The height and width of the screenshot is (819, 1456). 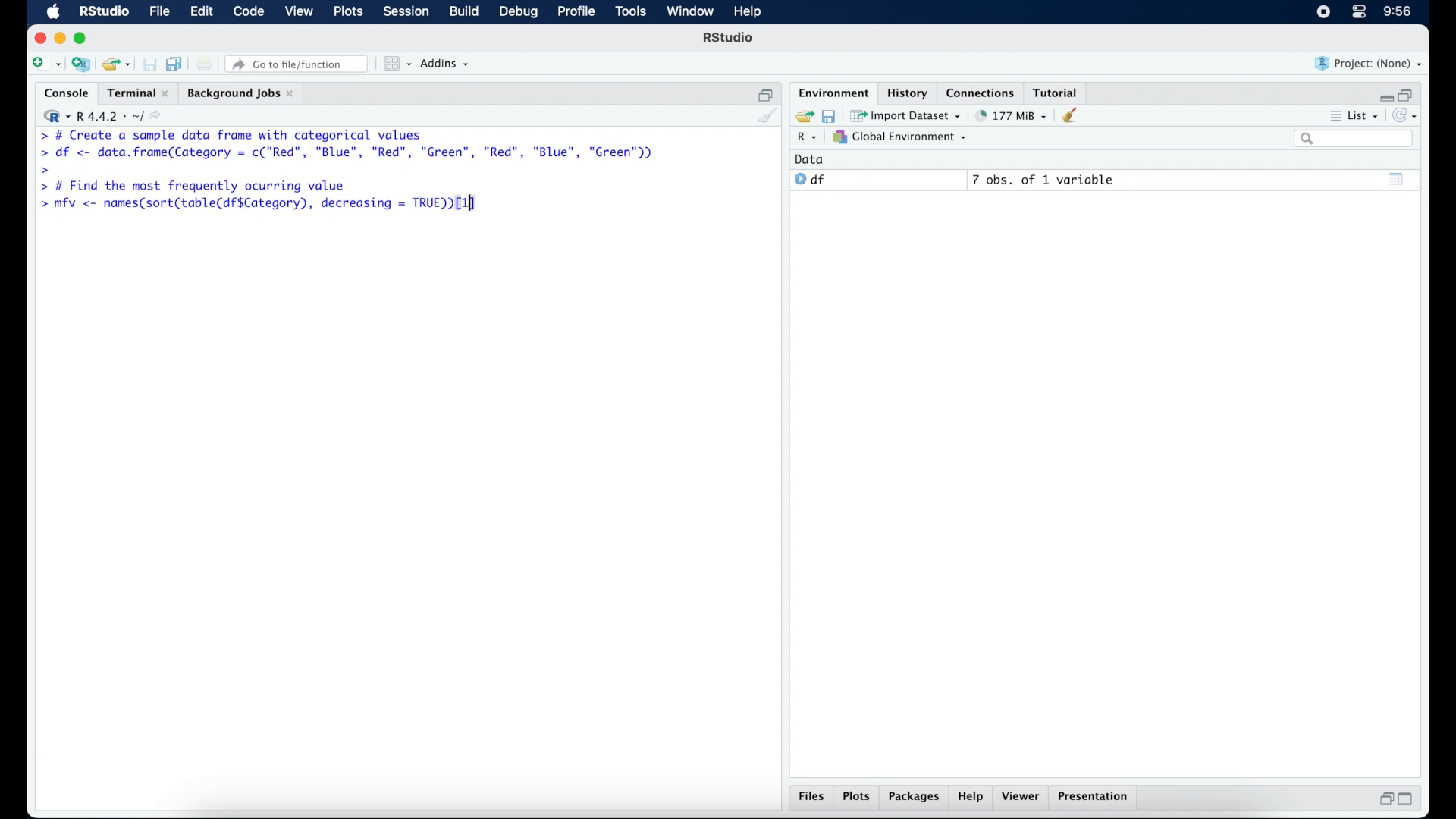 I want to click on addins, so click(x=447, y=64).